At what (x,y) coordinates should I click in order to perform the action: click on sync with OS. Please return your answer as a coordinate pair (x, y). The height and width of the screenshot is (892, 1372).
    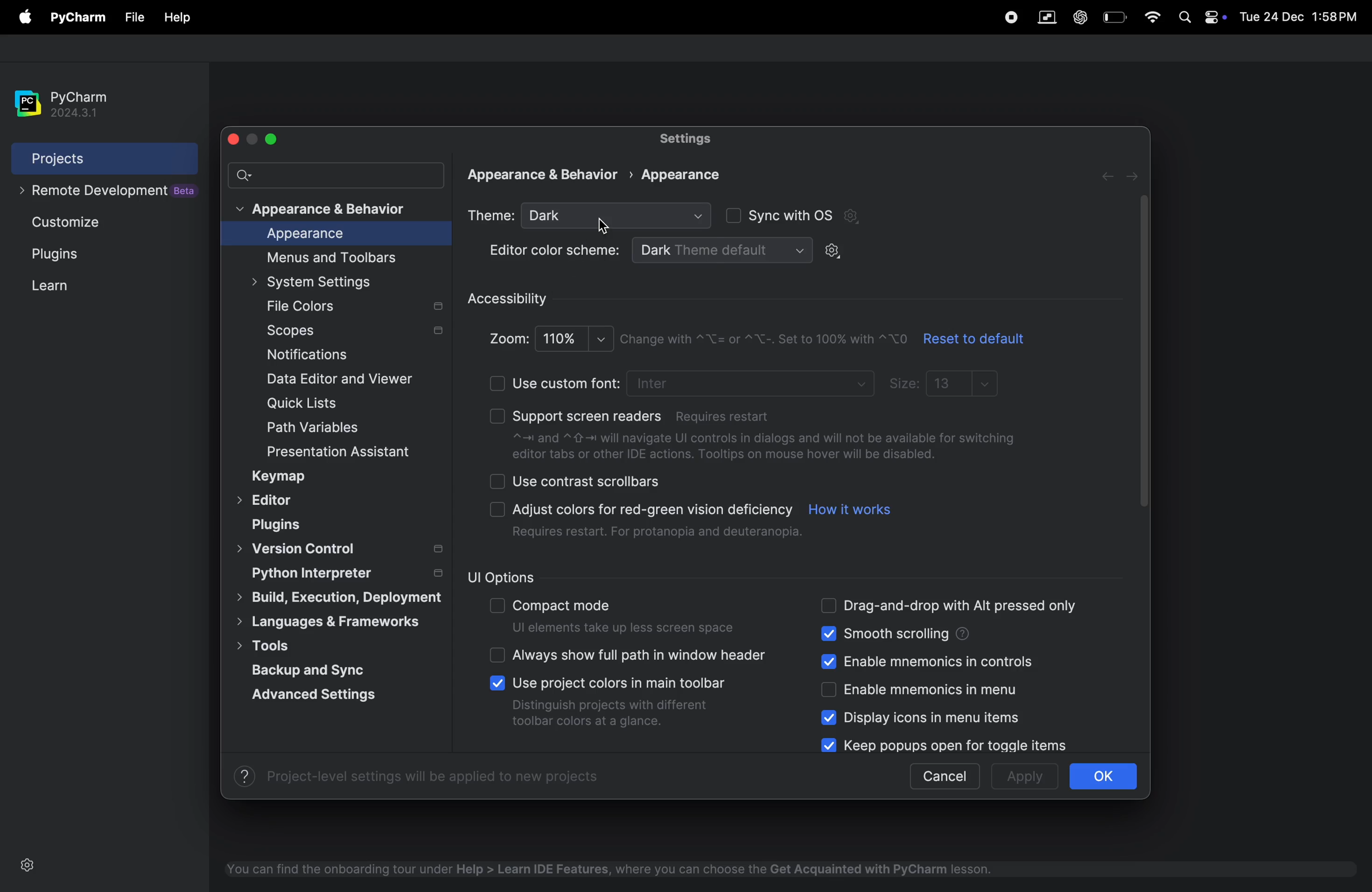
    Looking at the image, I should click on (783, 217).